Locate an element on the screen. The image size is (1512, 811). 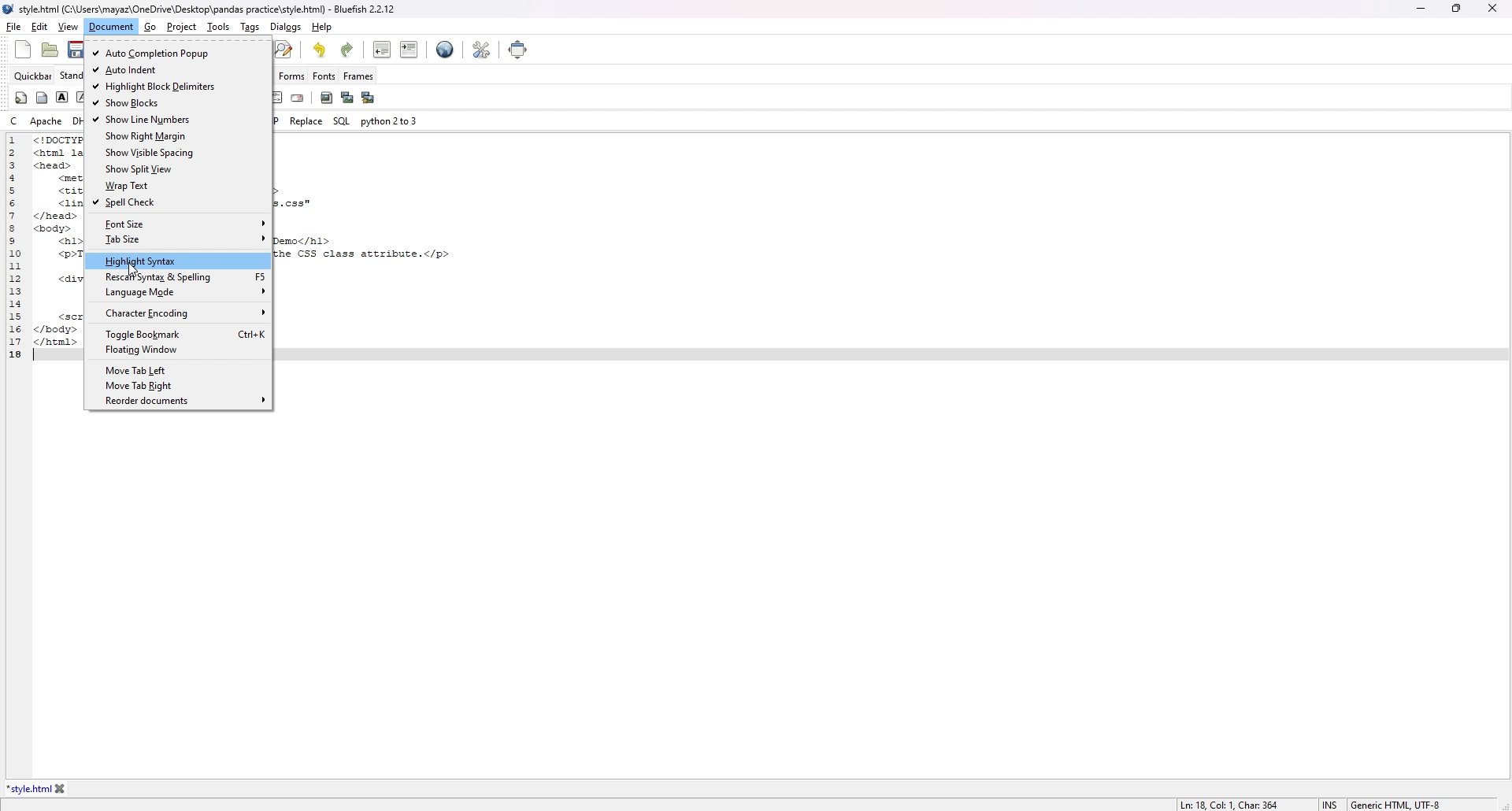
close tab is located at coordinates (61, 790).